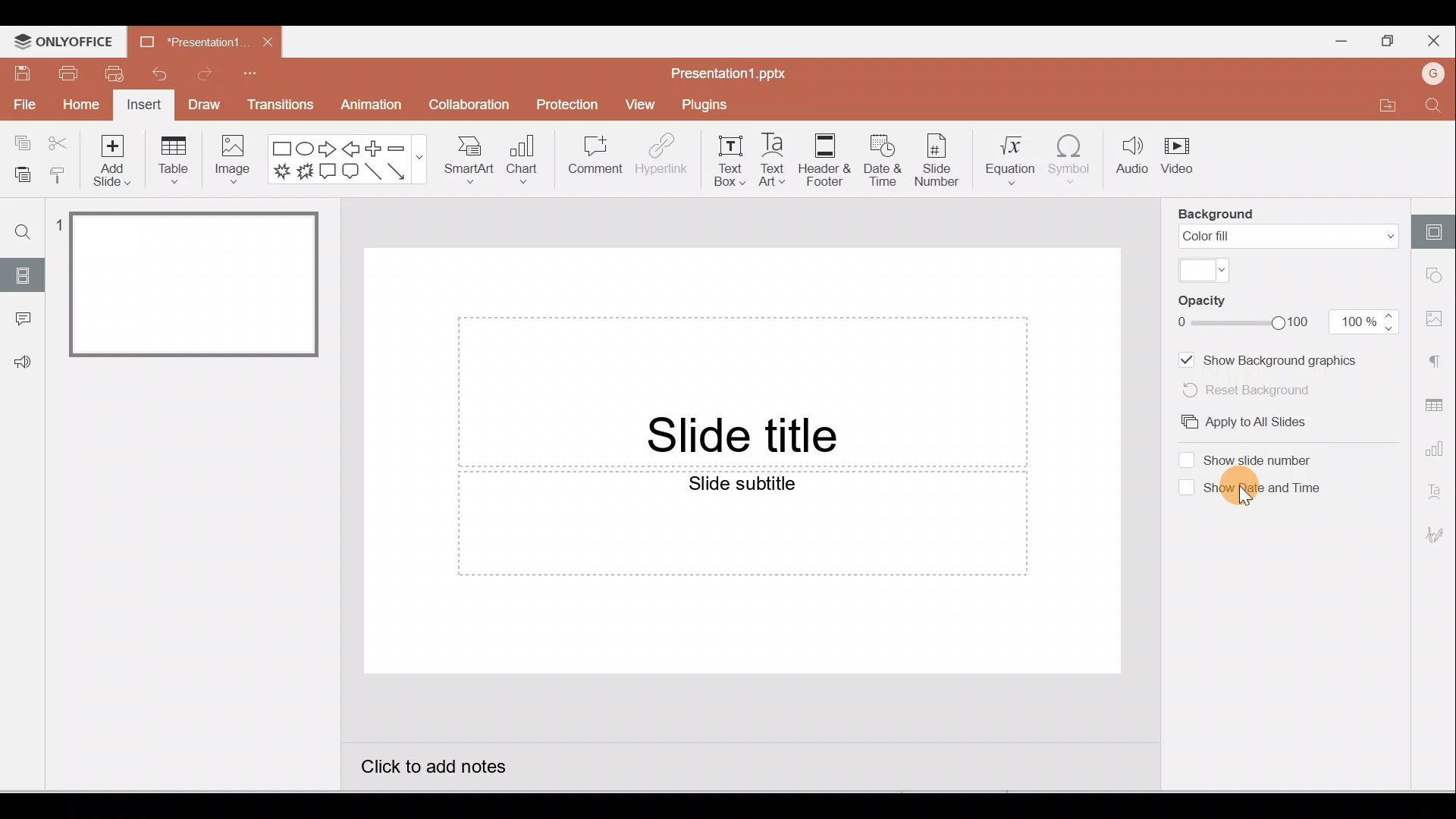 Image resolution: width=1456 pixels, height=819 pixels. Describe the element at coordinates (1436, 74) in the screenshot. I see `Account name` at that location.